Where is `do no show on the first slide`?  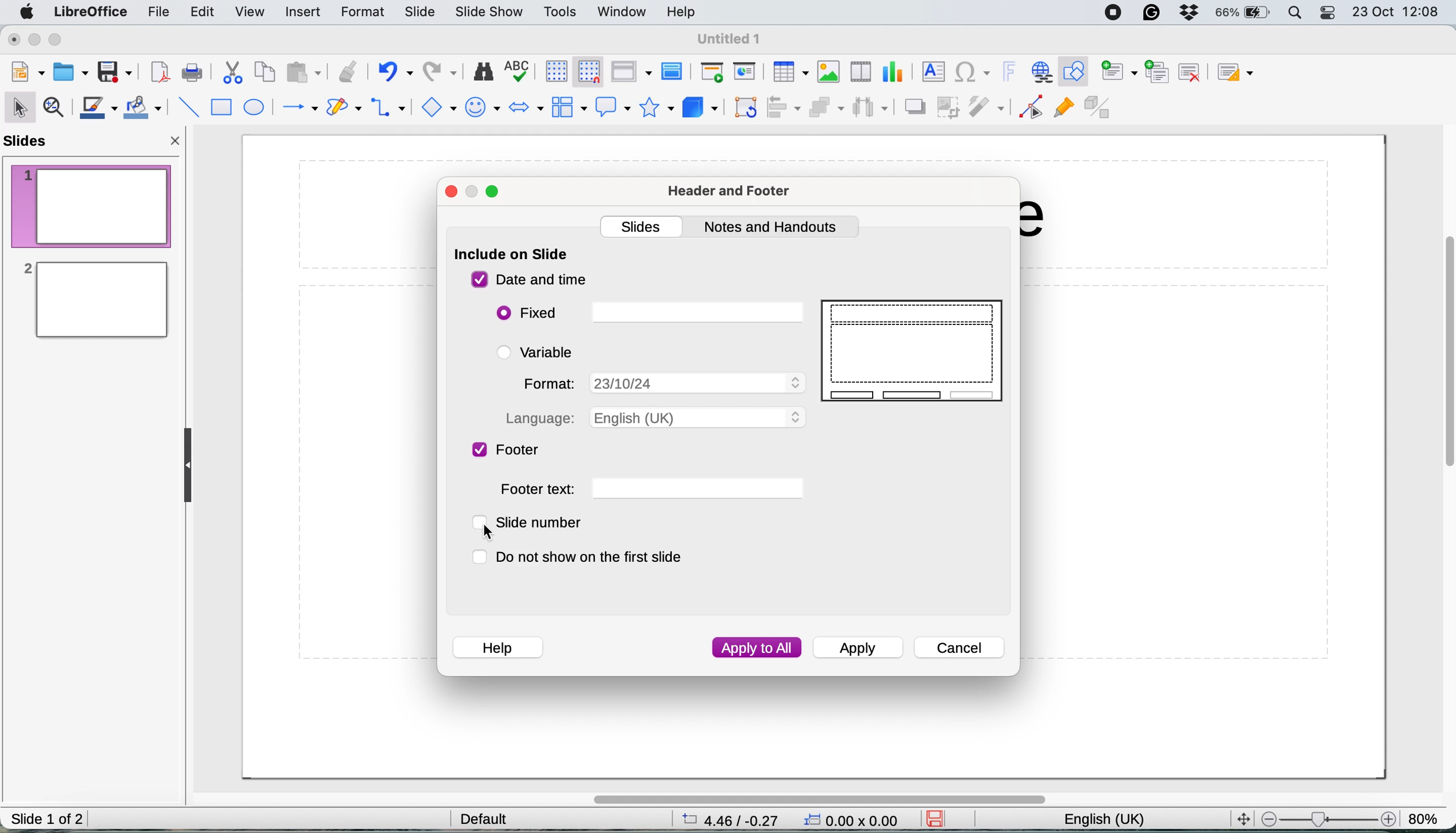
do no show on the first slide is located at coordinates (587, 557).